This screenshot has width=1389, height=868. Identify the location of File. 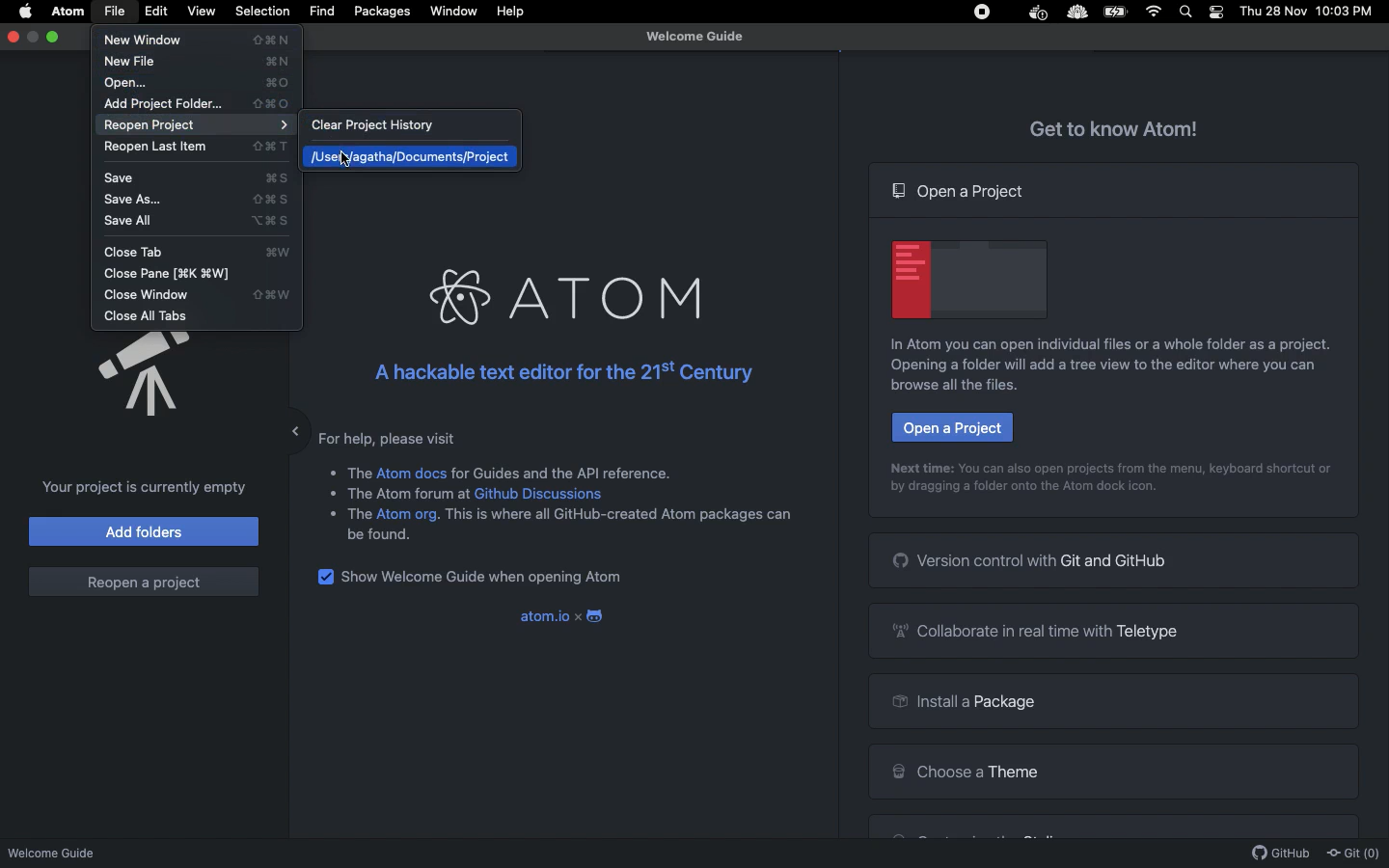
(114, 12).